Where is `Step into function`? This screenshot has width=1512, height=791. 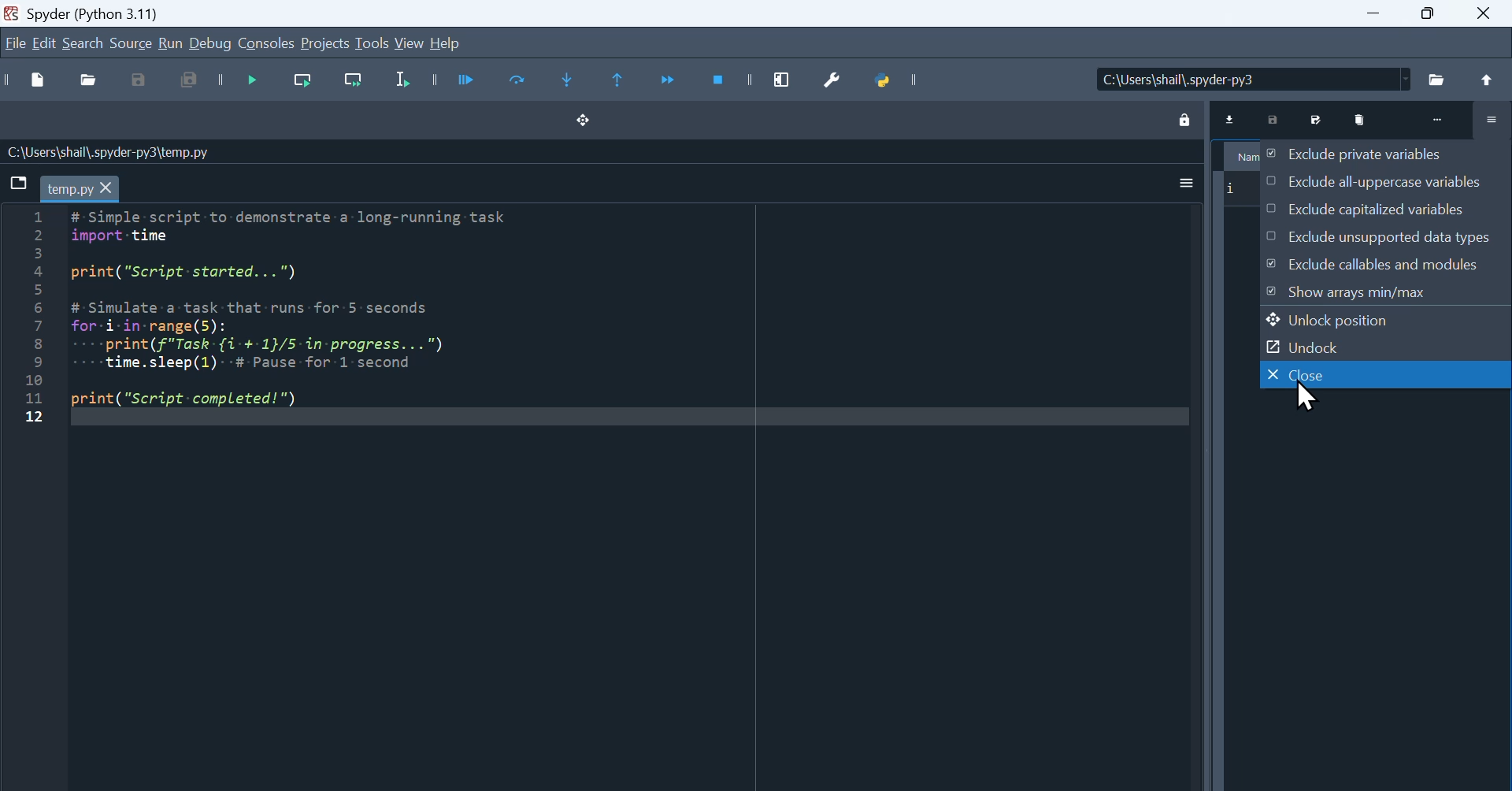 Step into function is located at coordinates (569, 83).